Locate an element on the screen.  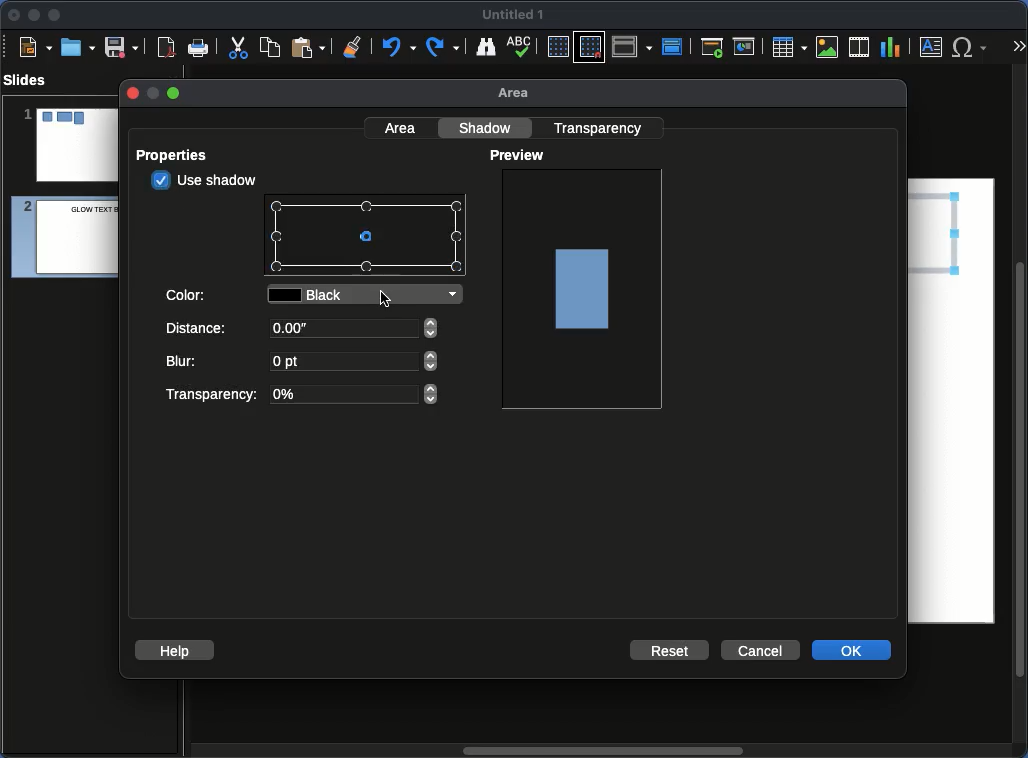
Transparency is located at coordinates (299, 395).